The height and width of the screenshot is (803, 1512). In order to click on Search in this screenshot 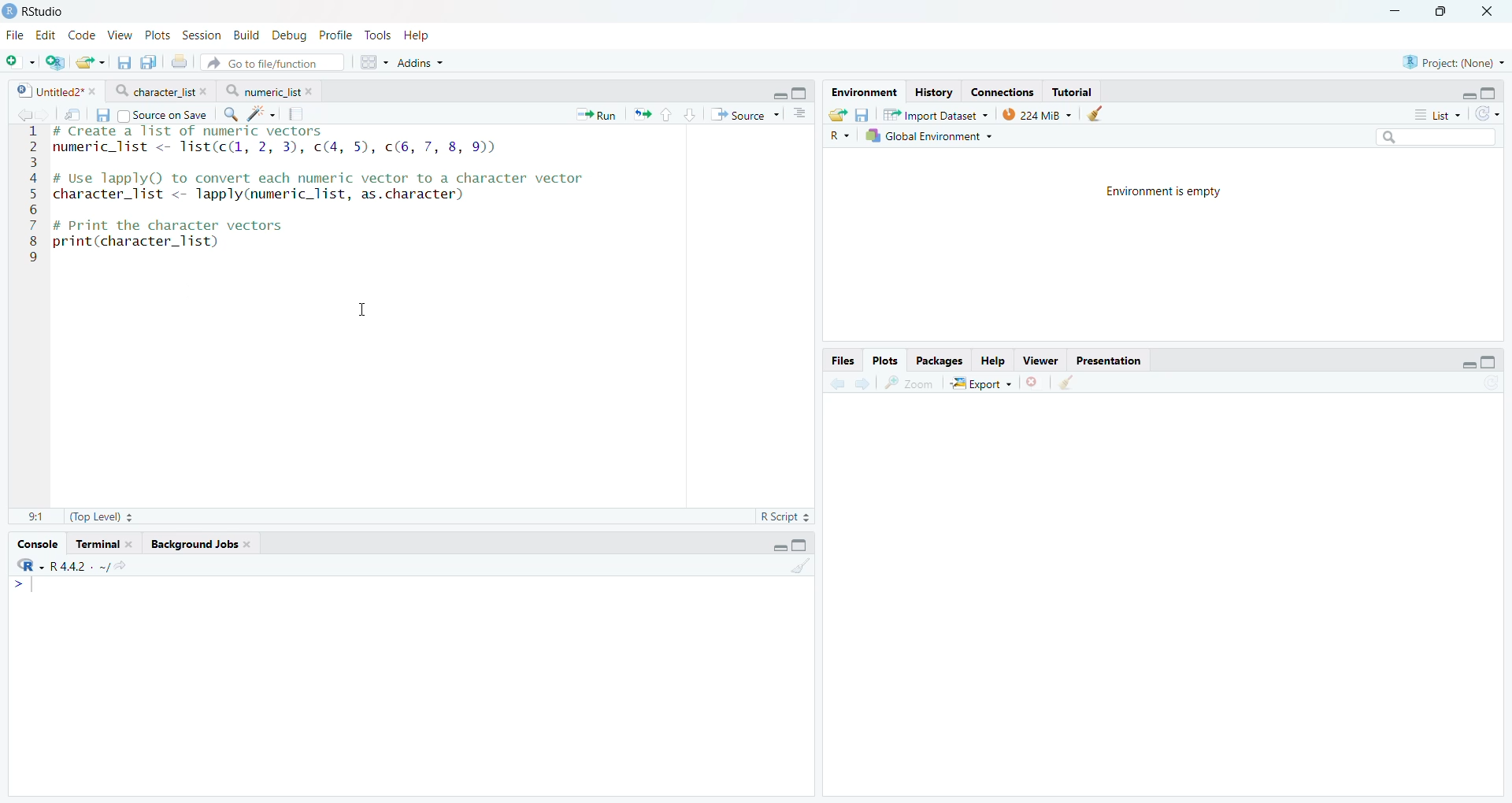, I will do `click(1436, 136)`.